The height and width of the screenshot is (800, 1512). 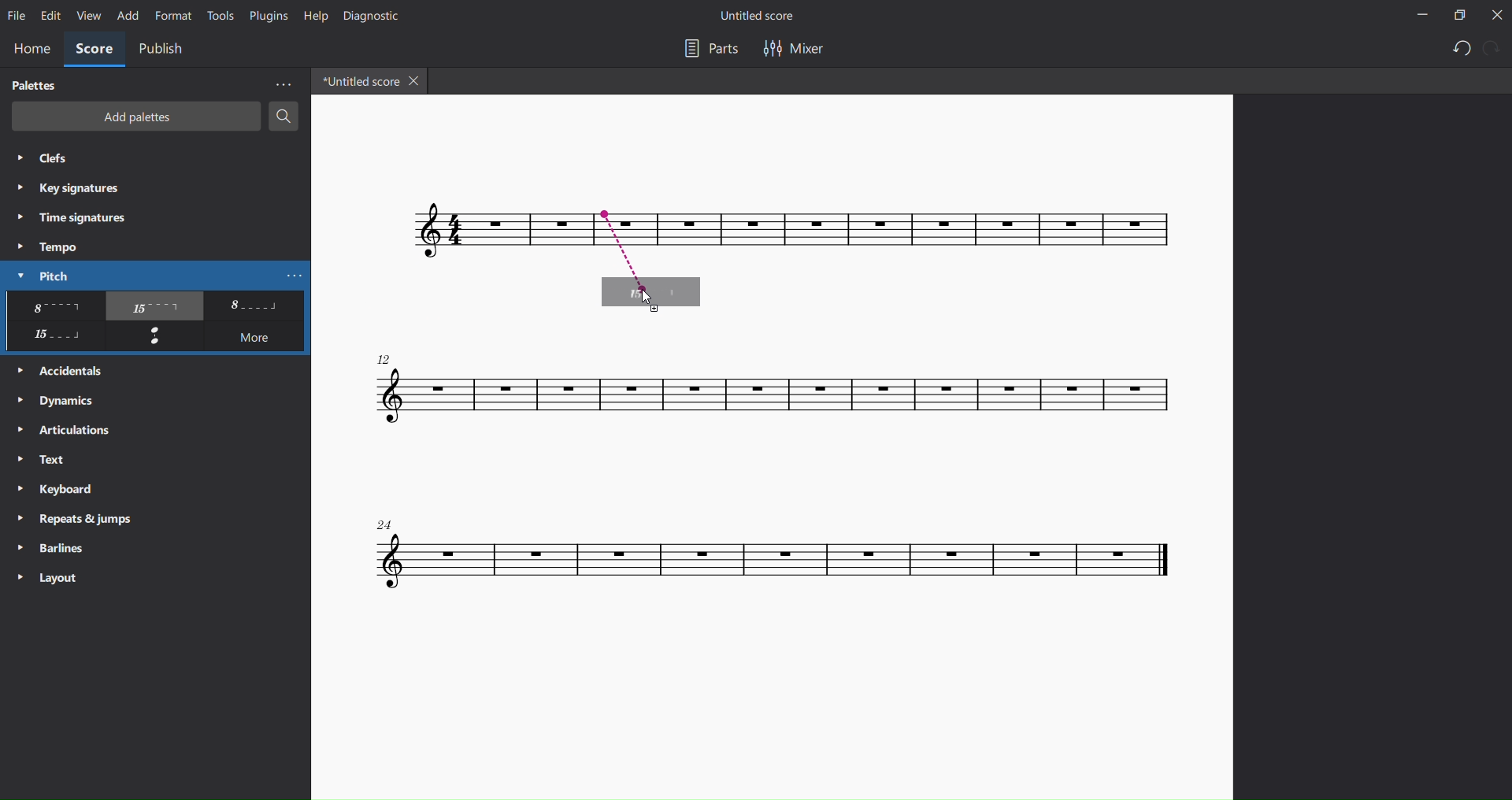 I want to click on score, so click(x=92, y=50).